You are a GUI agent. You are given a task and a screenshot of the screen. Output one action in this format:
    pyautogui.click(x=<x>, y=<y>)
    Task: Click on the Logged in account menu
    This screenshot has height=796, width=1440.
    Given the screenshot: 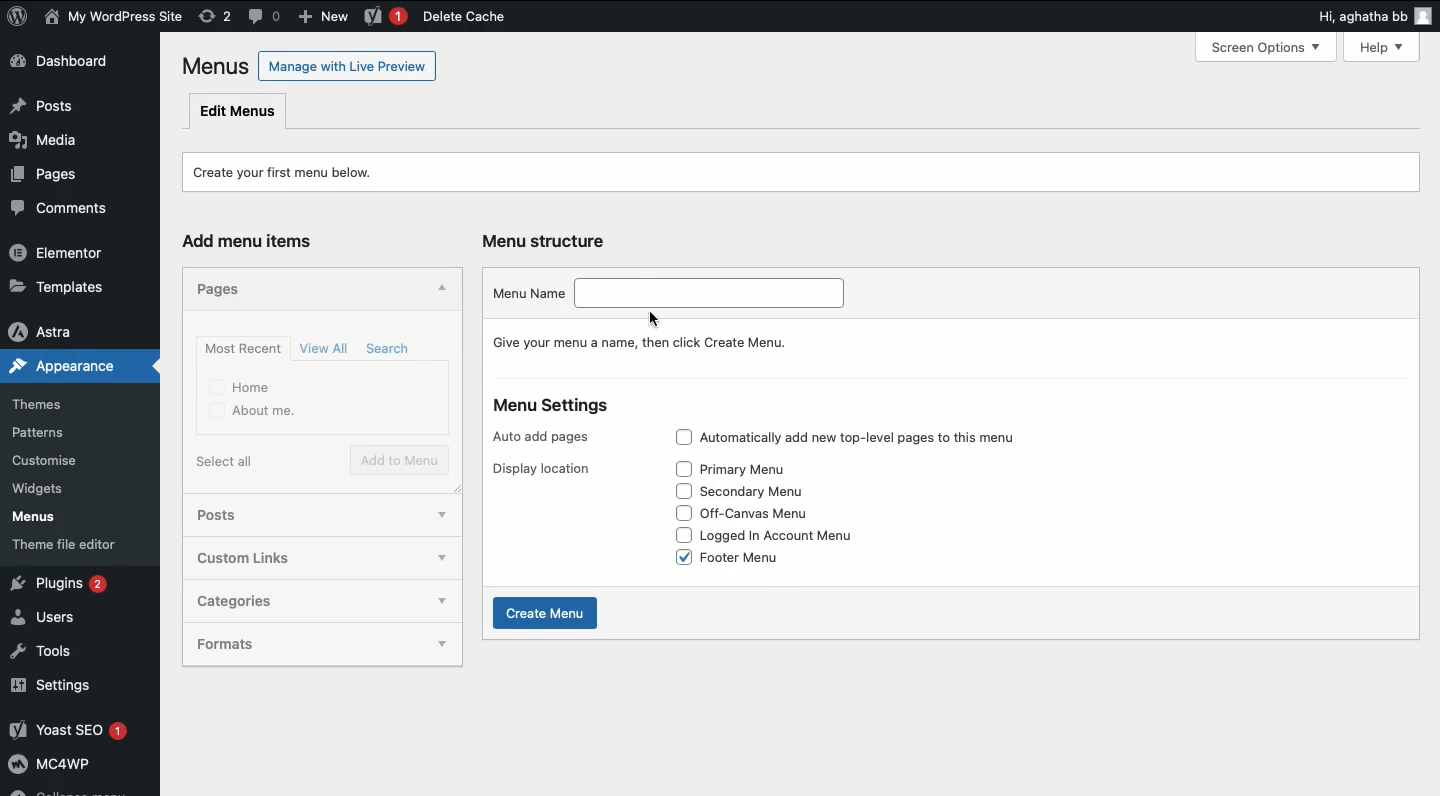 What is the action you would take?
    pyautogui.click(x=795, y=535)
    